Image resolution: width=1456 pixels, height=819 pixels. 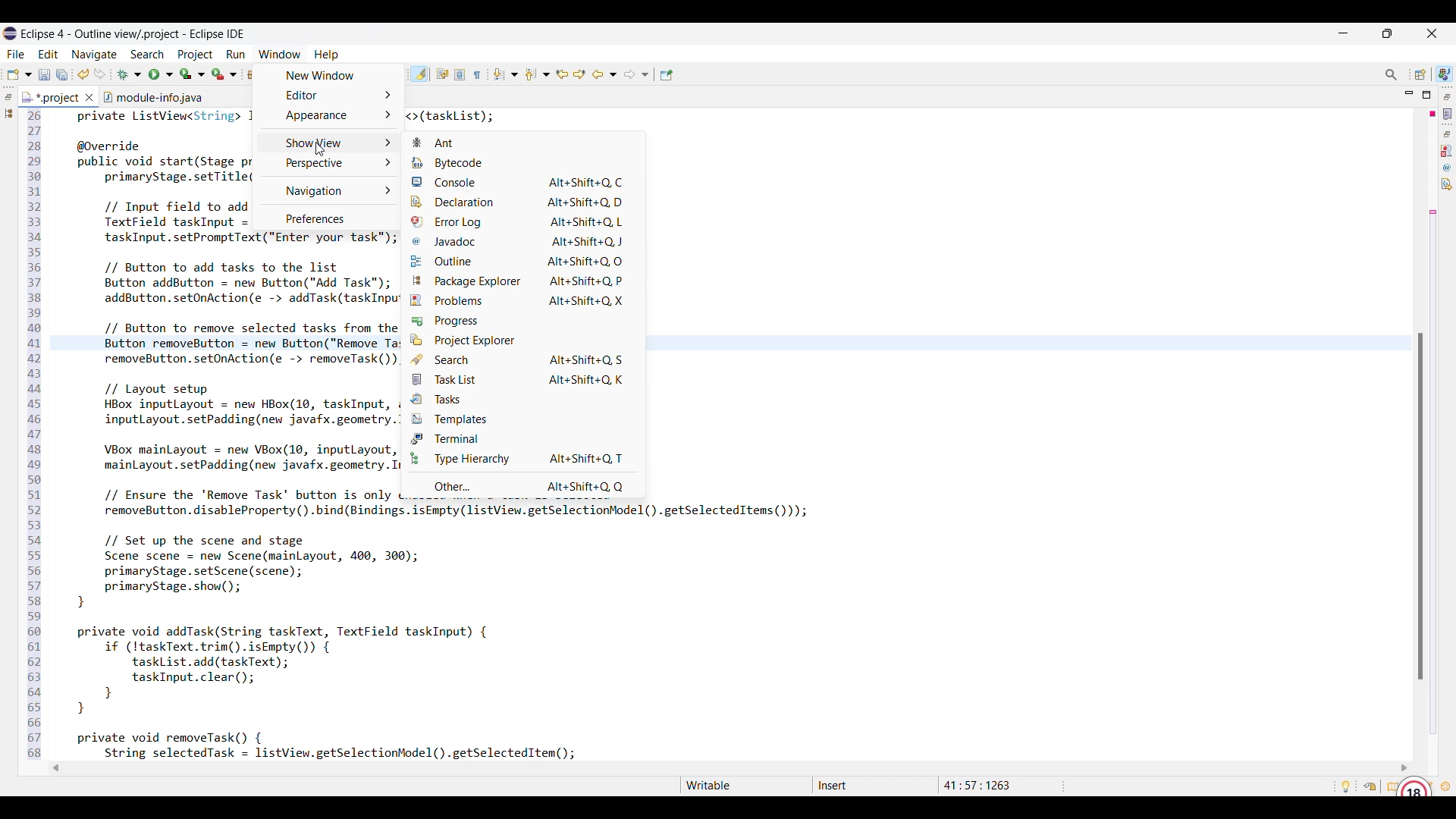 What do you see at coordinates (521, 321) in the screenshot?
I see `Progress` at bounding box center [521, 321].